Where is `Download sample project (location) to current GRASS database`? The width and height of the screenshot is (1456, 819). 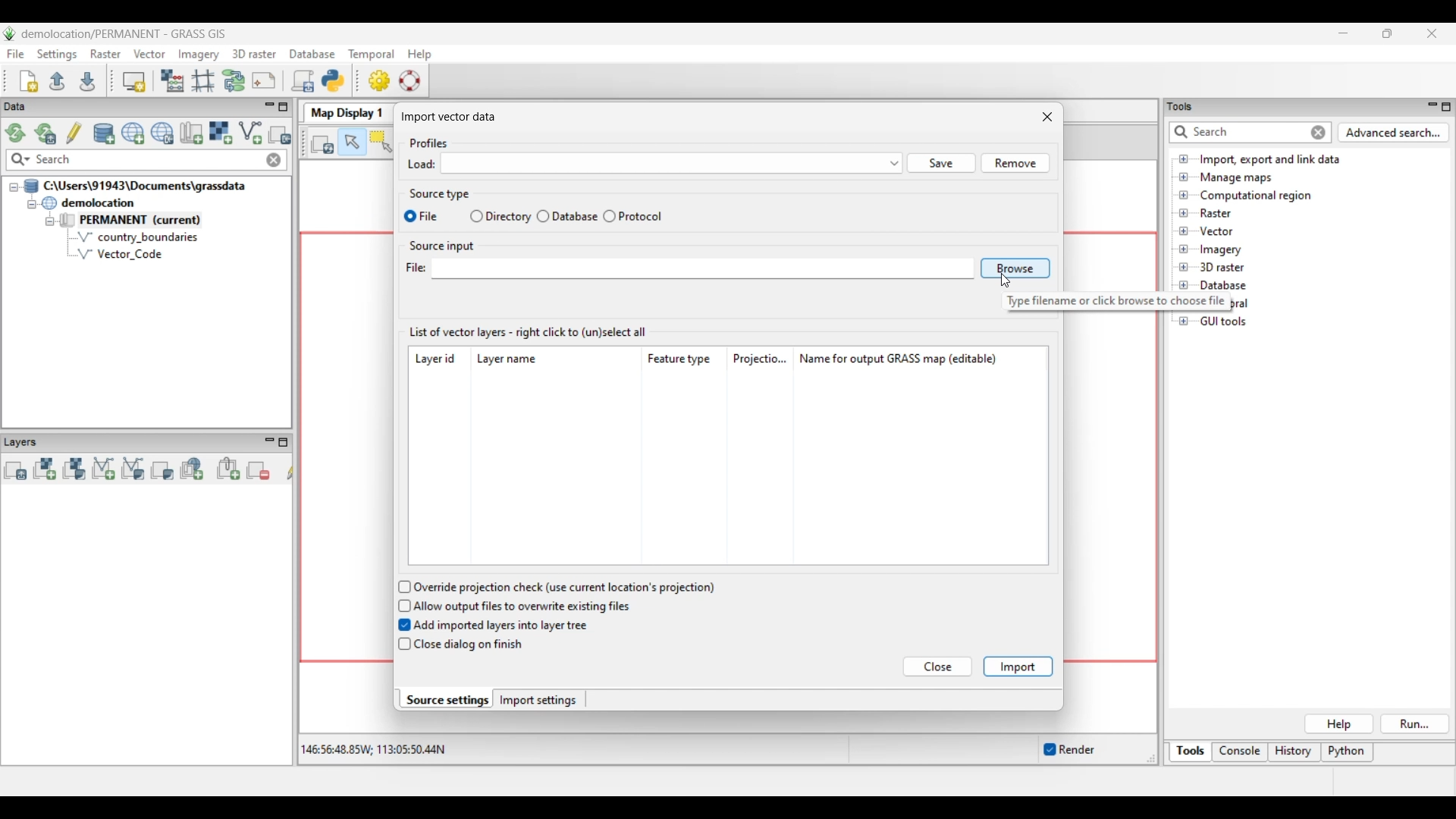
Download sample project (location) to current GRASS database is located at coordinates (162, 133).